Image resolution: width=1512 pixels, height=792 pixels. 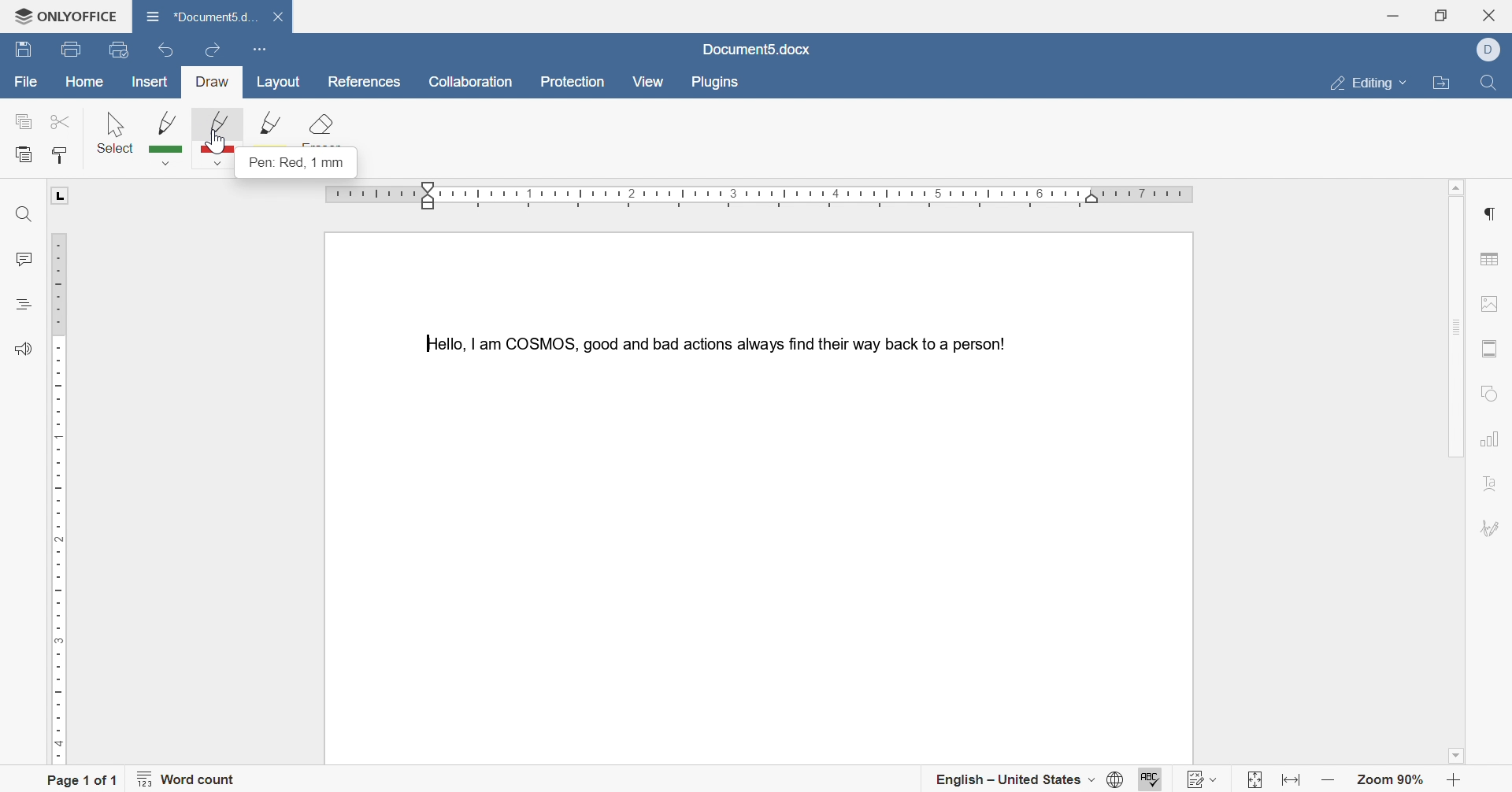 I want to click on spell checking, so click(x=1148, y=777).